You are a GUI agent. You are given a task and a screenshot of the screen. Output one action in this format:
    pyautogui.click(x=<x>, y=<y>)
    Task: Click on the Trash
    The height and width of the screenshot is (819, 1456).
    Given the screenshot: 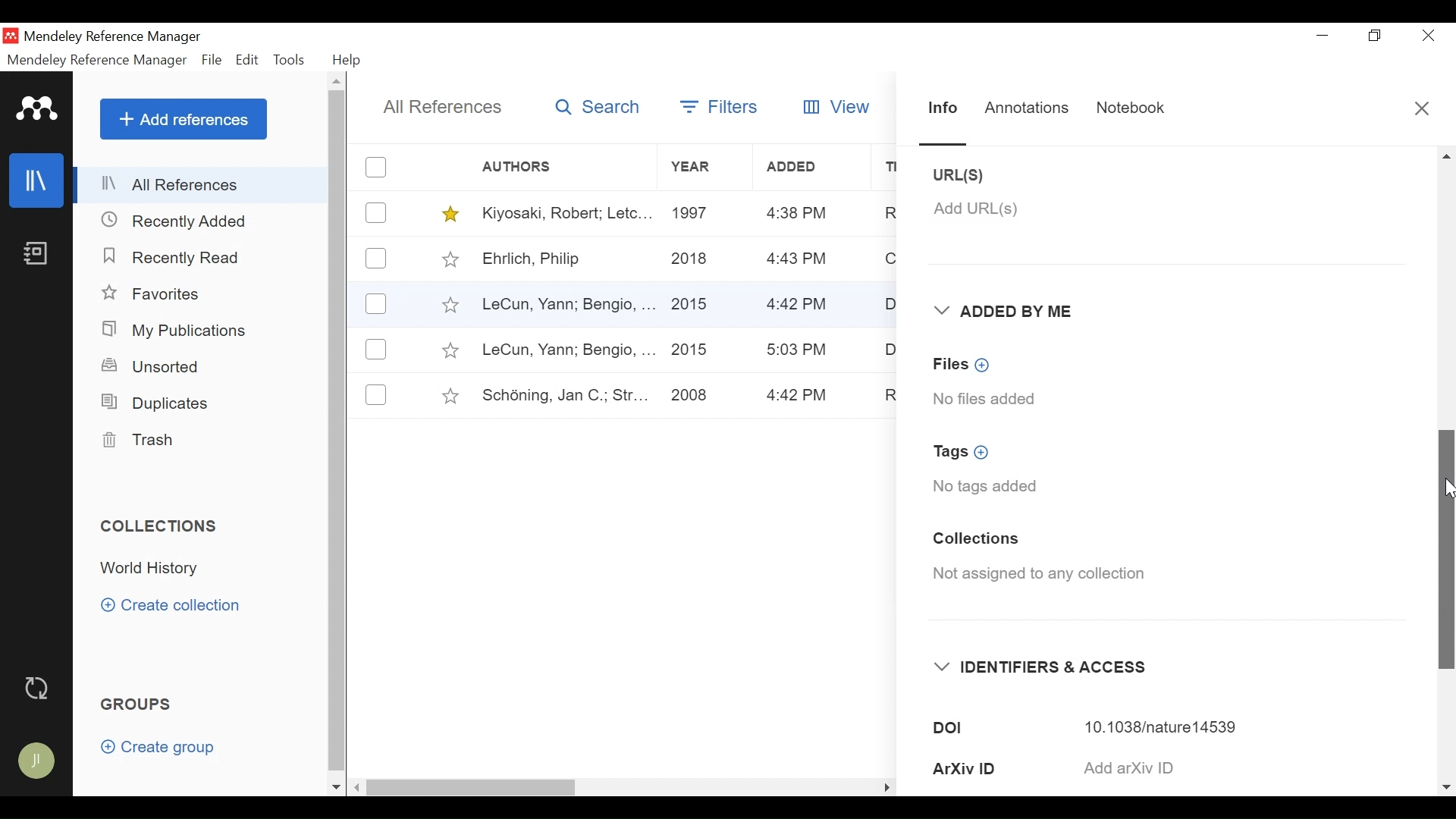 What is the action you would take?
    pyautogui.click(x=137, y=441)
    